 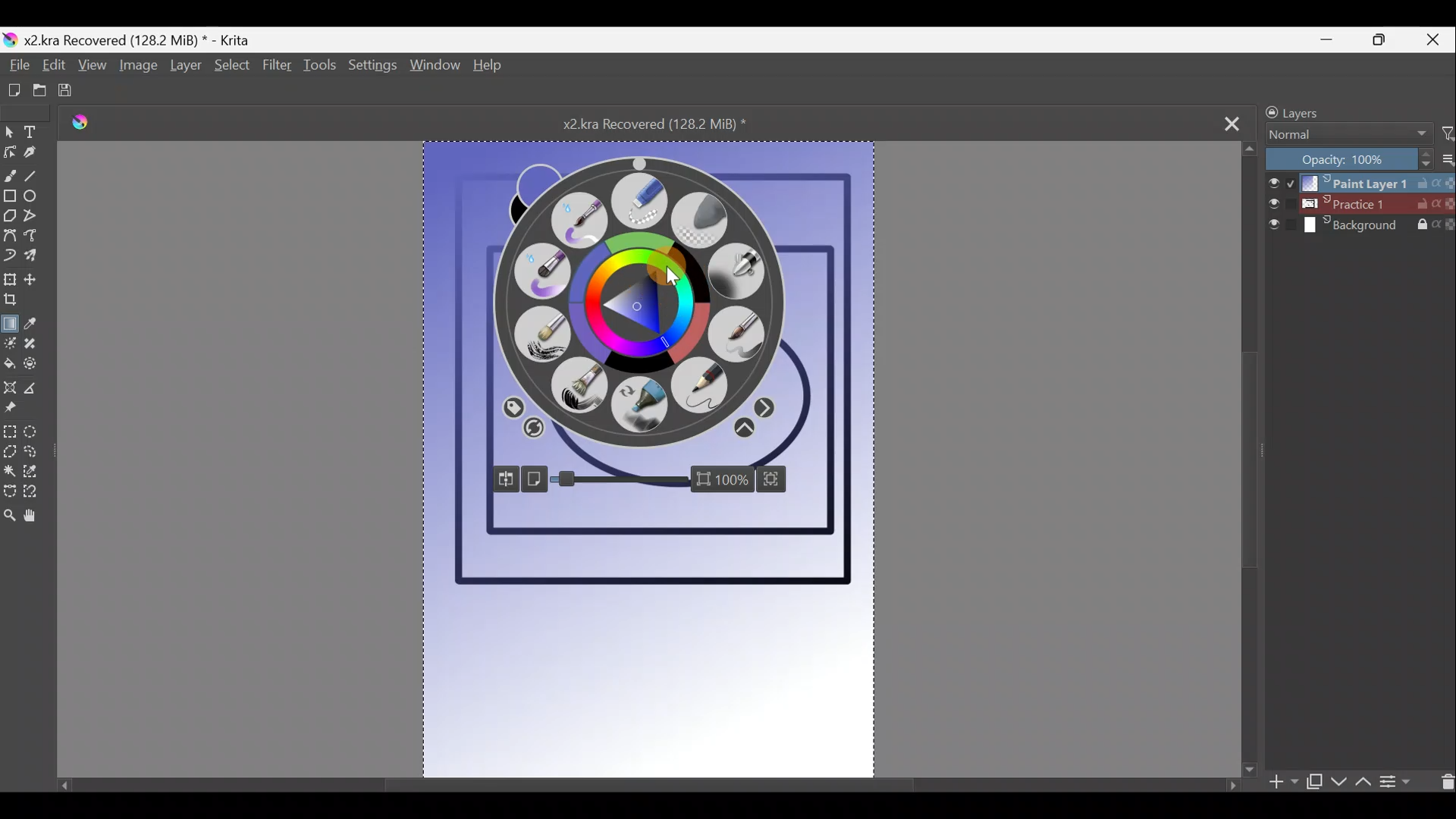 I want to click on Polgonal selection tool, so click(x=9, y=453).